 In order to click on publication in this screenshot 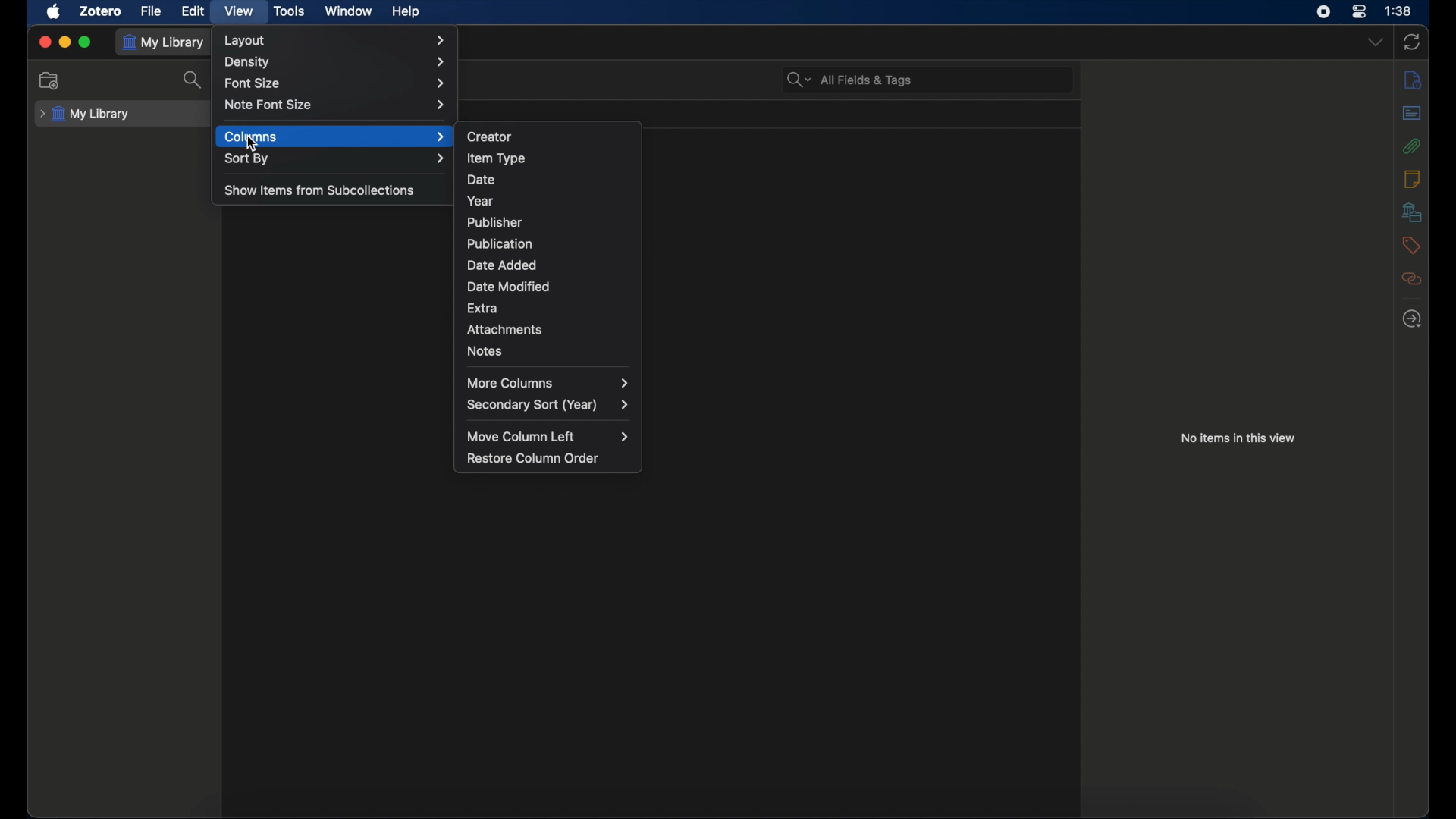, I will do `click(500, 243)`.